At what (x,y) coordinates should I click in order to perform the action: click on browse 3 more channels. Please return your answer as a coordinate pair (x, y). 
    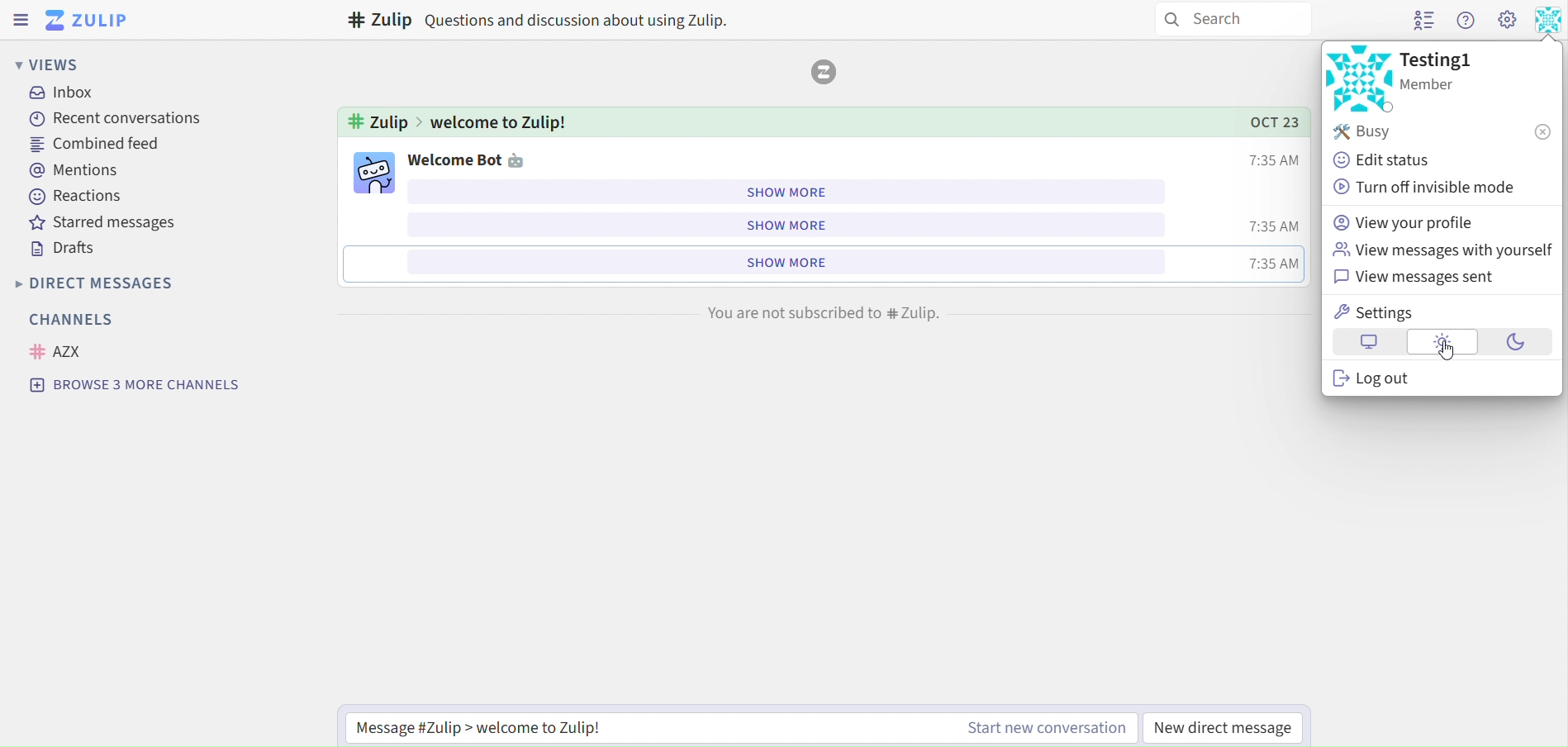
    Looking at the image, I should click on (138, 387).